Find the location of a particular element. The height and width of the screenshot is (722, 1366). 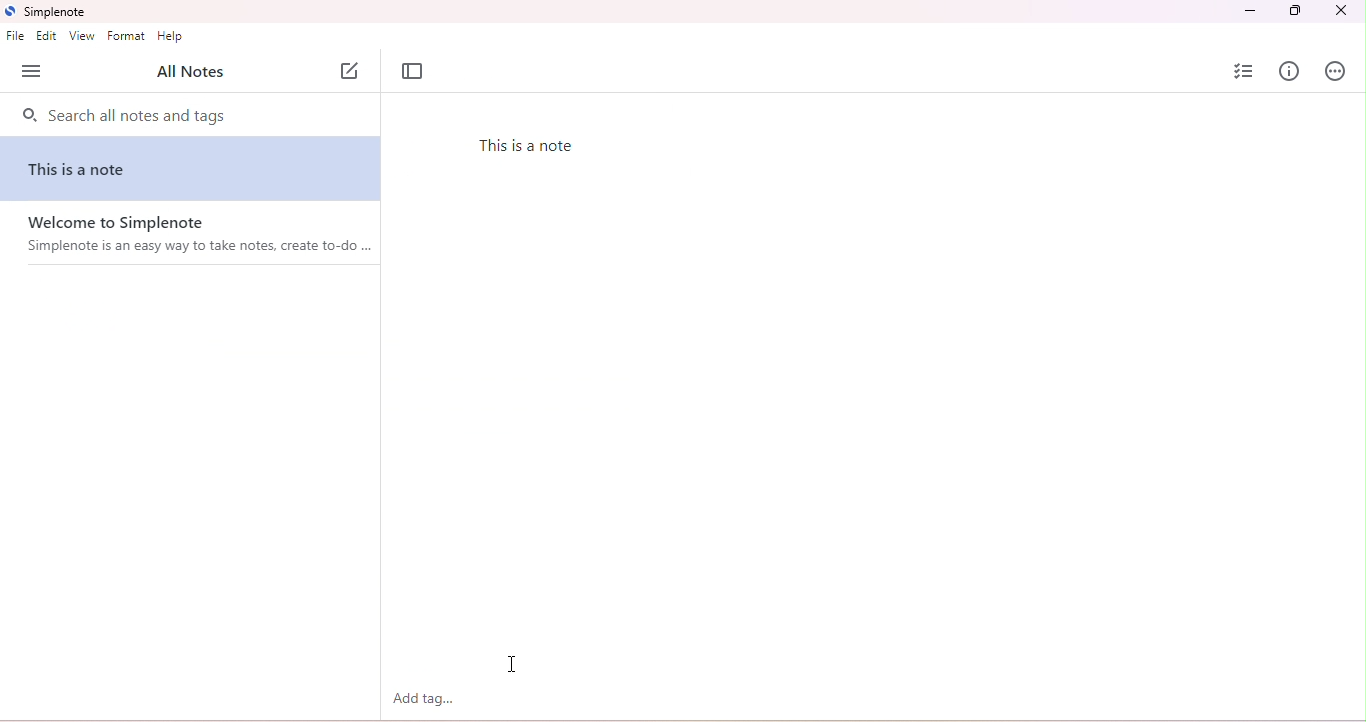

This is a note is located at coordinates (83, 170).